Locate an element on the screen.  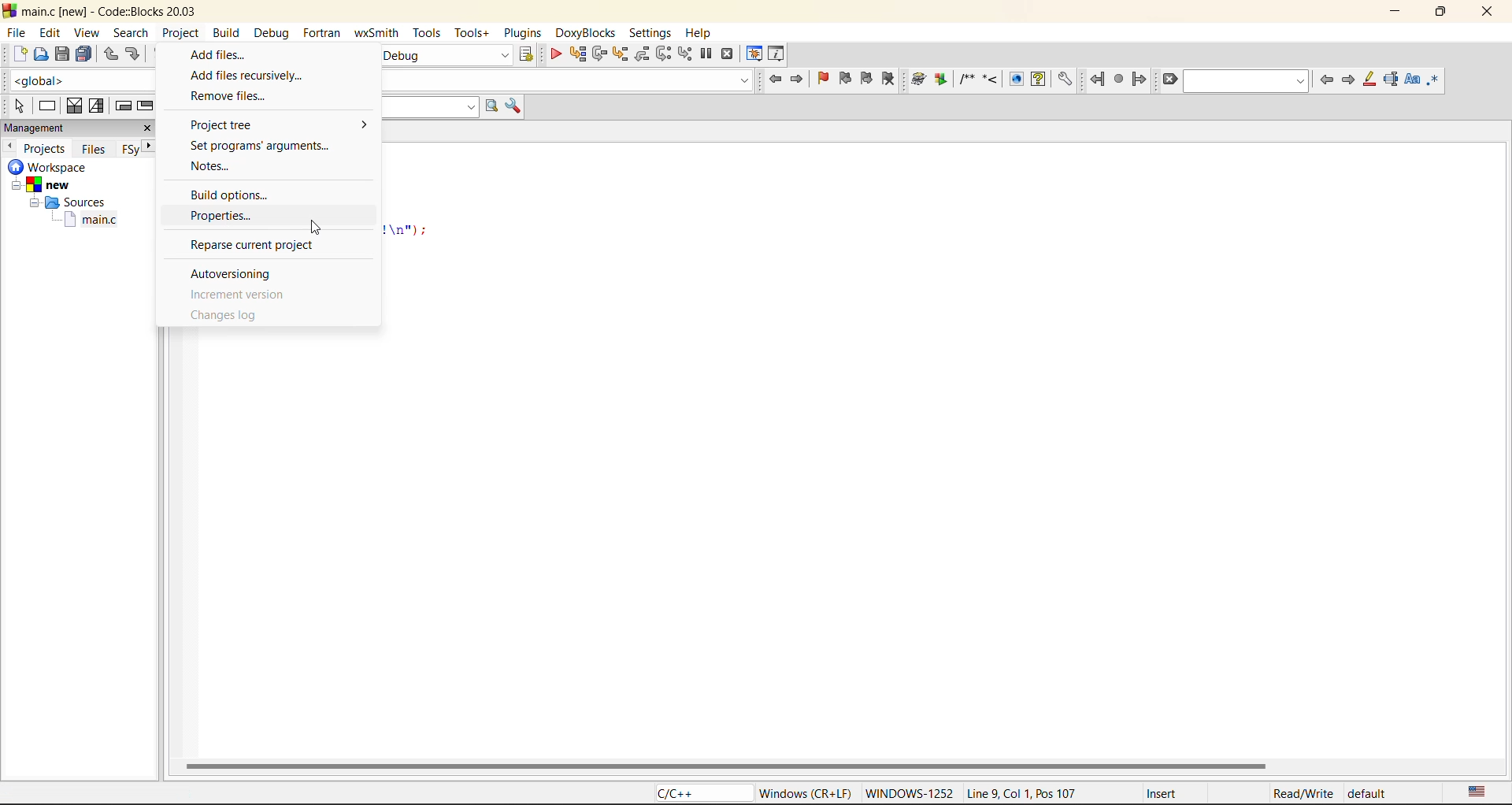
various info is located at coordinates (777, 54).